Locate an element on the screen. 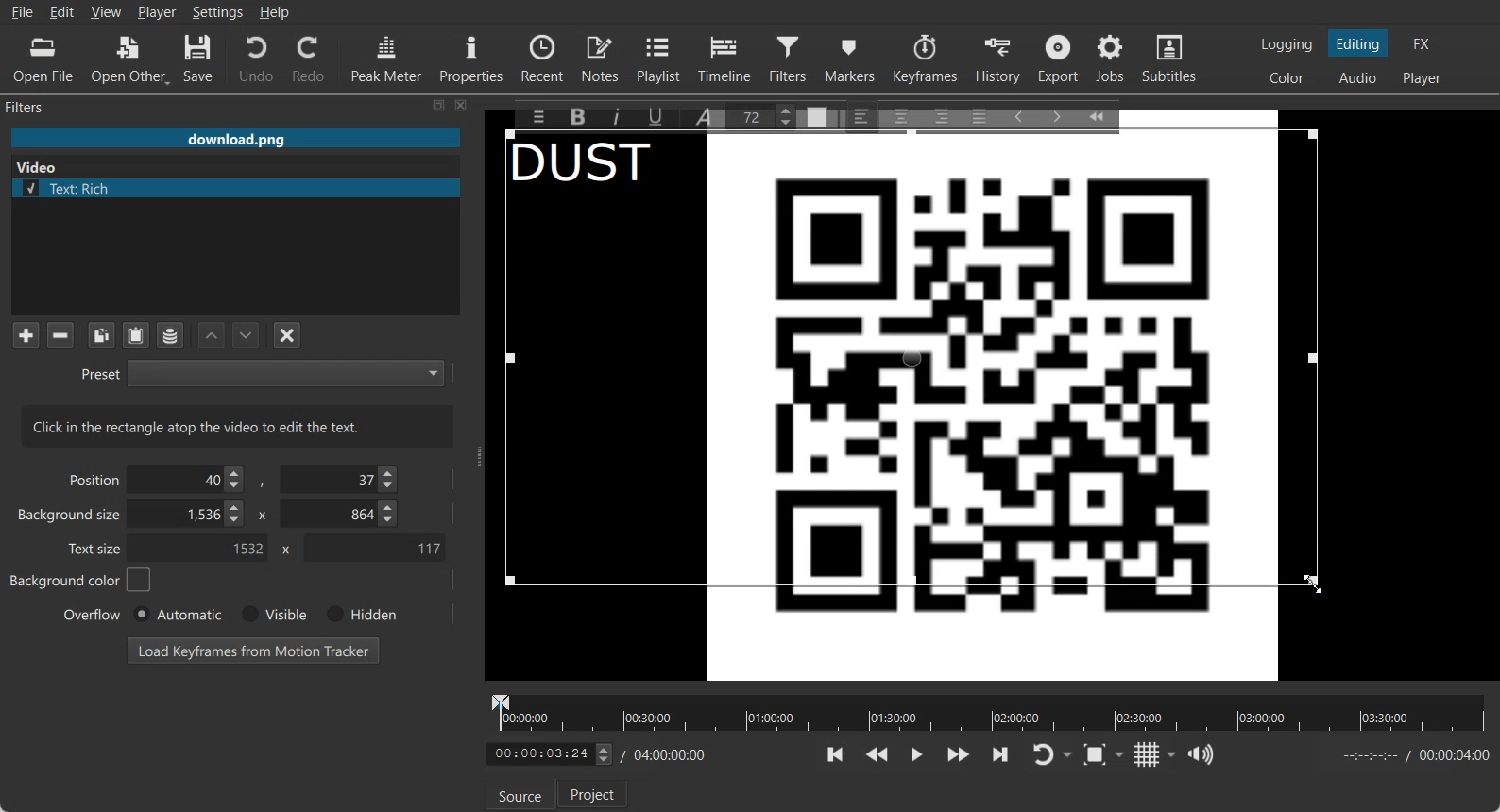 Image resolution: width=1500 pixels, height=812 pixels. Drop down box is located at coordinates (1069, 755).